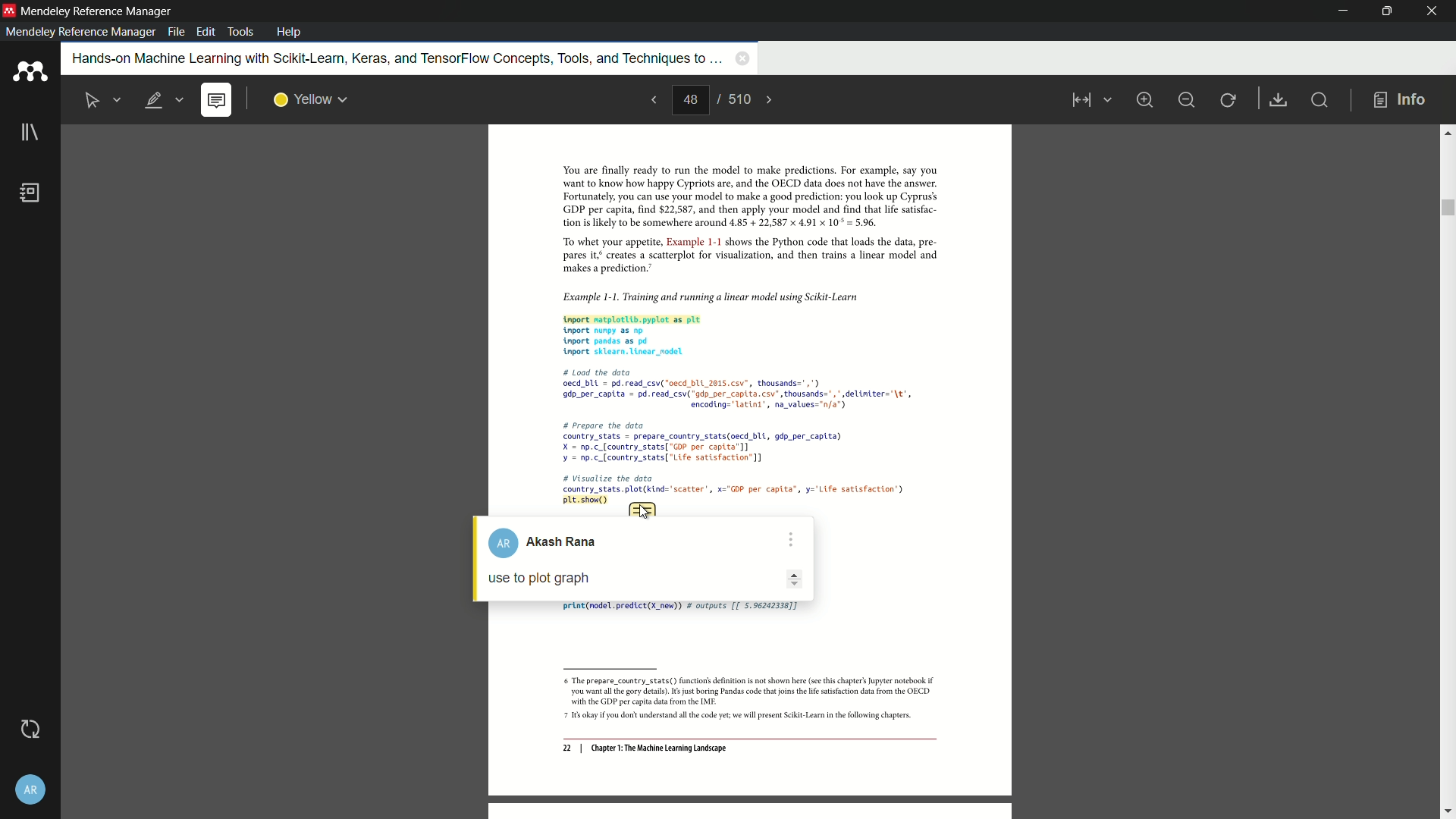 The height and width of the screenshot is (819, 1456). I want to click on scroll down, so click(1447, 812).